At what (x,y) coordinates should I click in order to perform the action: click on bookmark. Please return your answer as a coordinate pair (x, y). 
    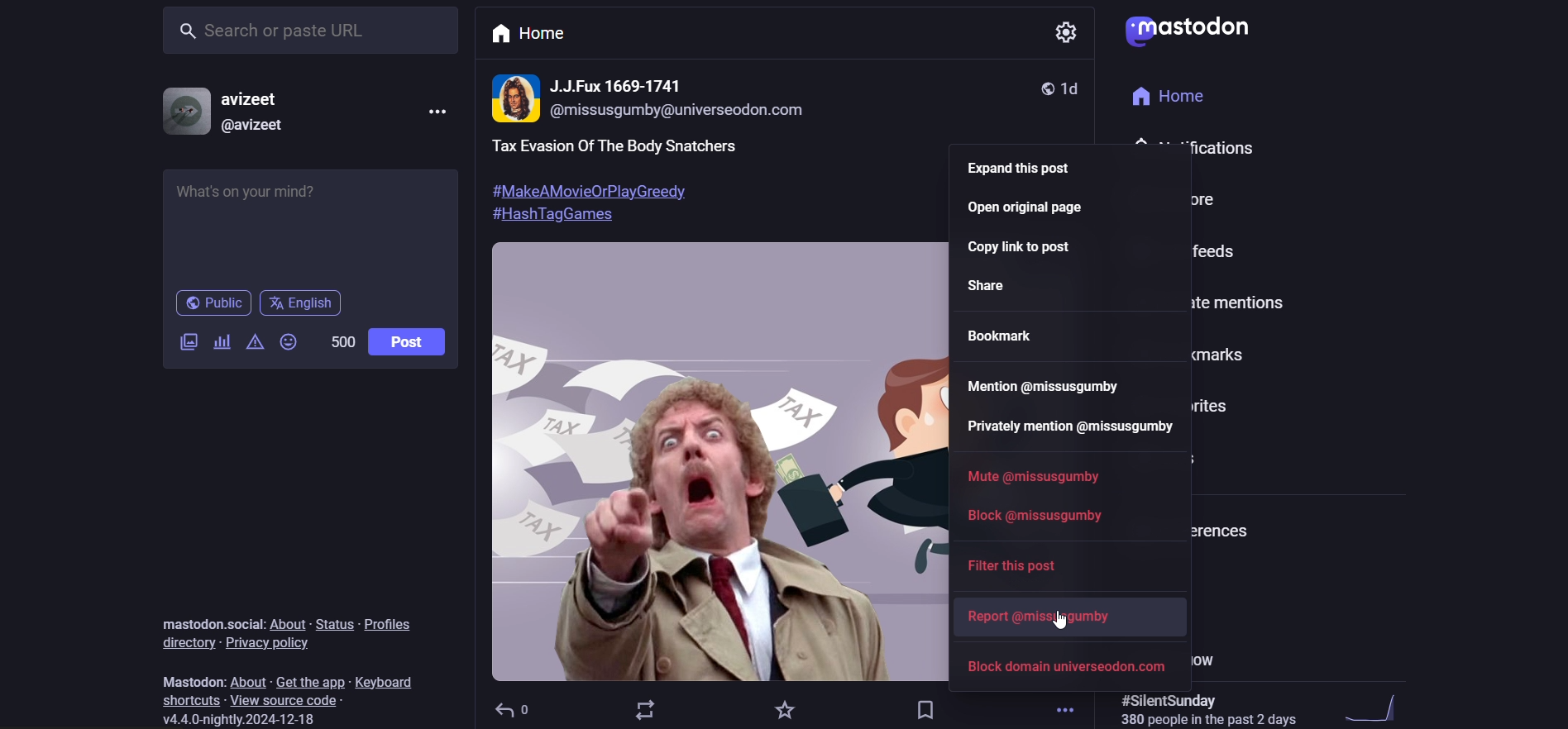
    Looking at the image, I should click on (925, 708).